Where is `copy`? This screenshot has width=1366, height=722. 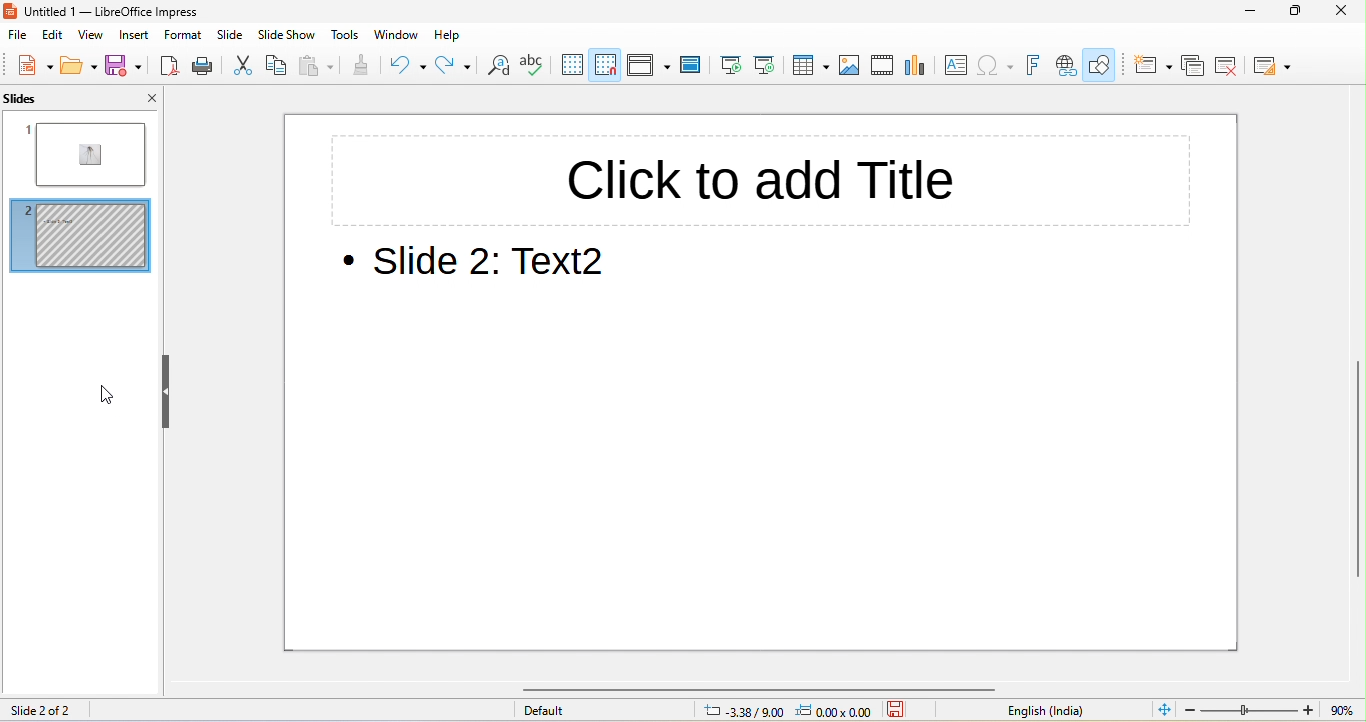 copy is located at coordinates (278, 65).